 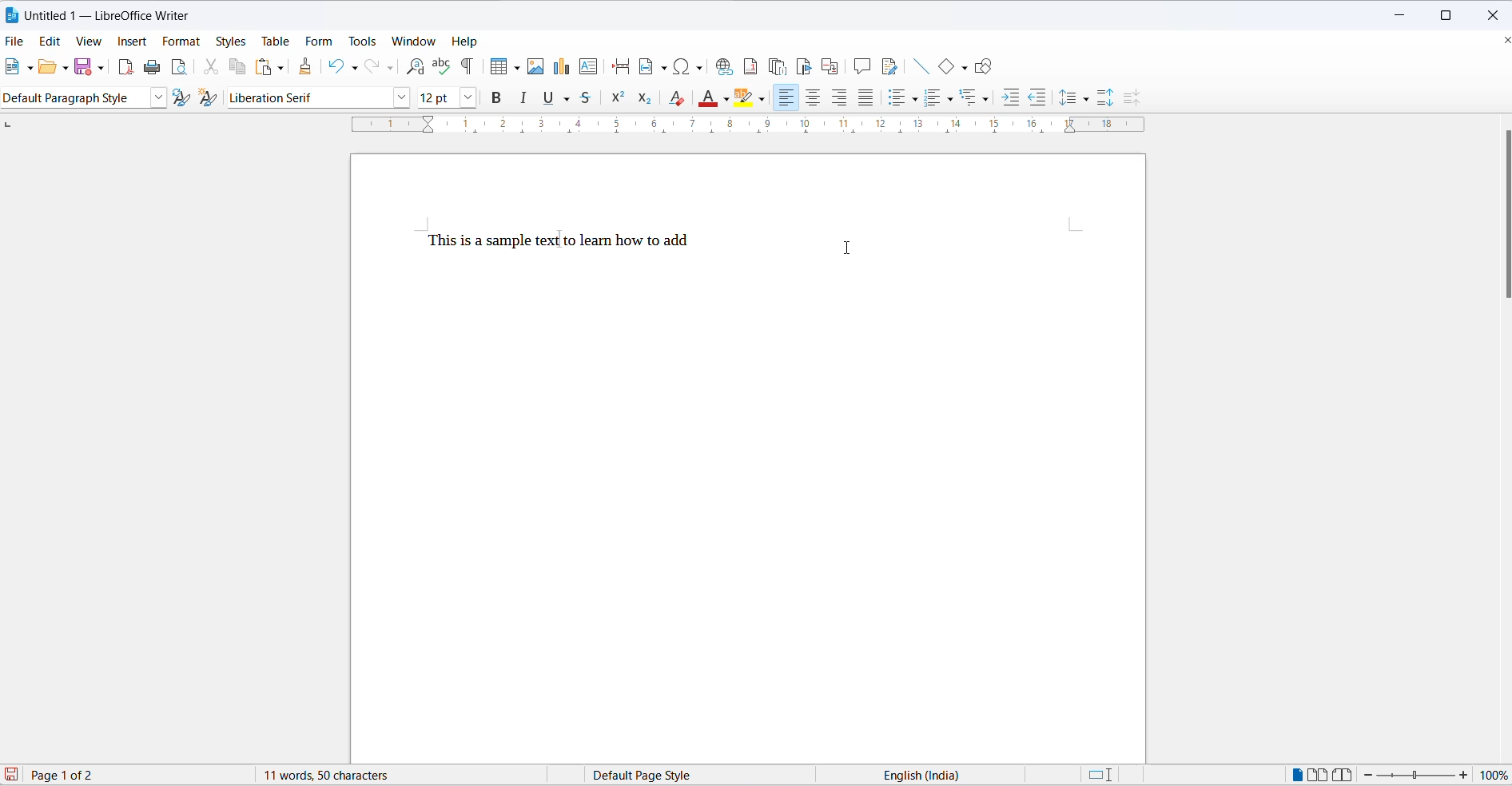 What do you see at coordinates (1464, 775) in the screenshot?
I see `increase zoom` at bounding box center [1464, 775].